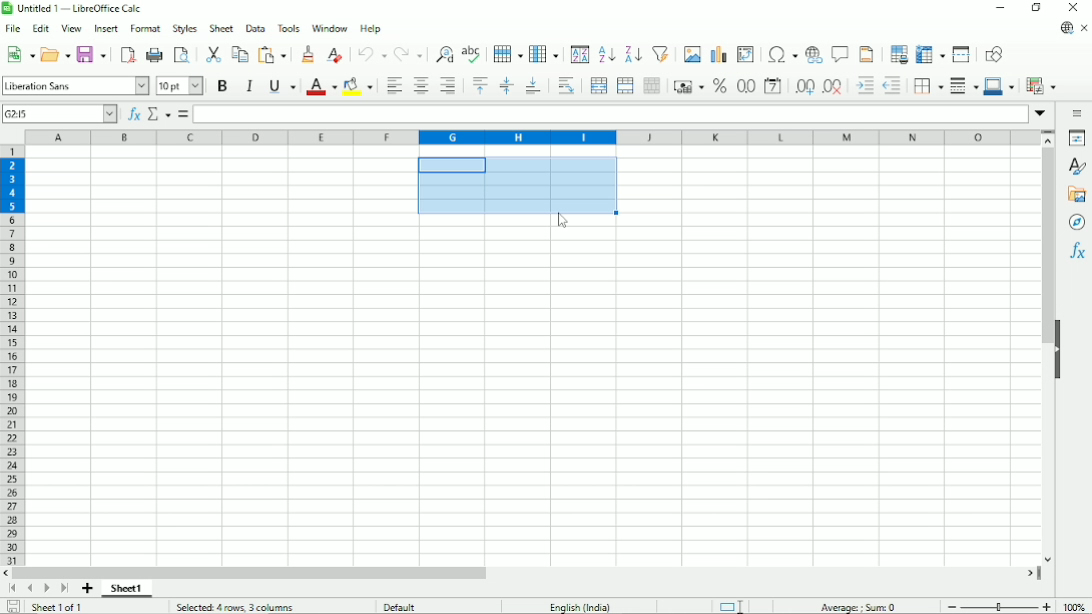  Describe the element at coordinates (533, 86) in the screenshot. I see `Align bottom` at that location.